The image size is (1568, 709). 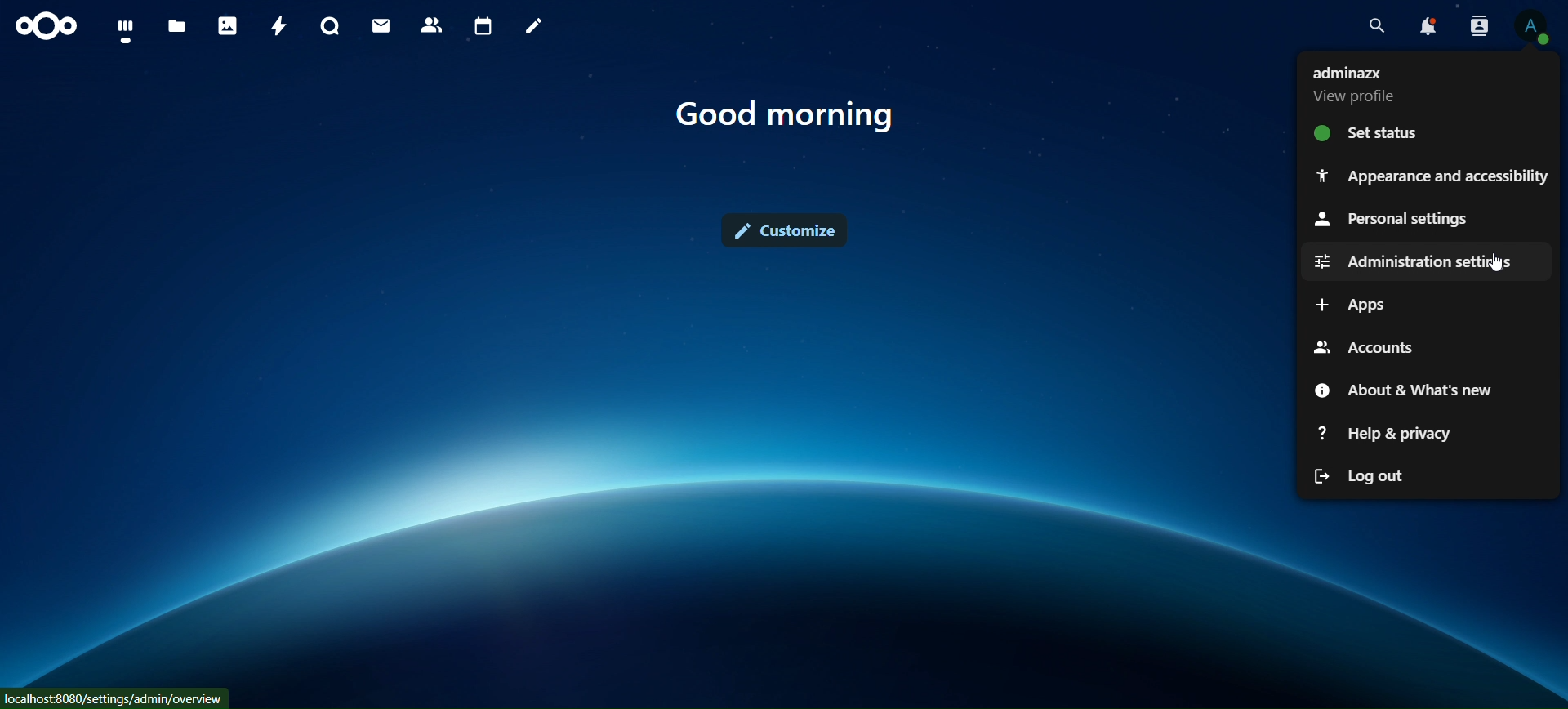 I want to click on notes, so click(x=535, y=29).